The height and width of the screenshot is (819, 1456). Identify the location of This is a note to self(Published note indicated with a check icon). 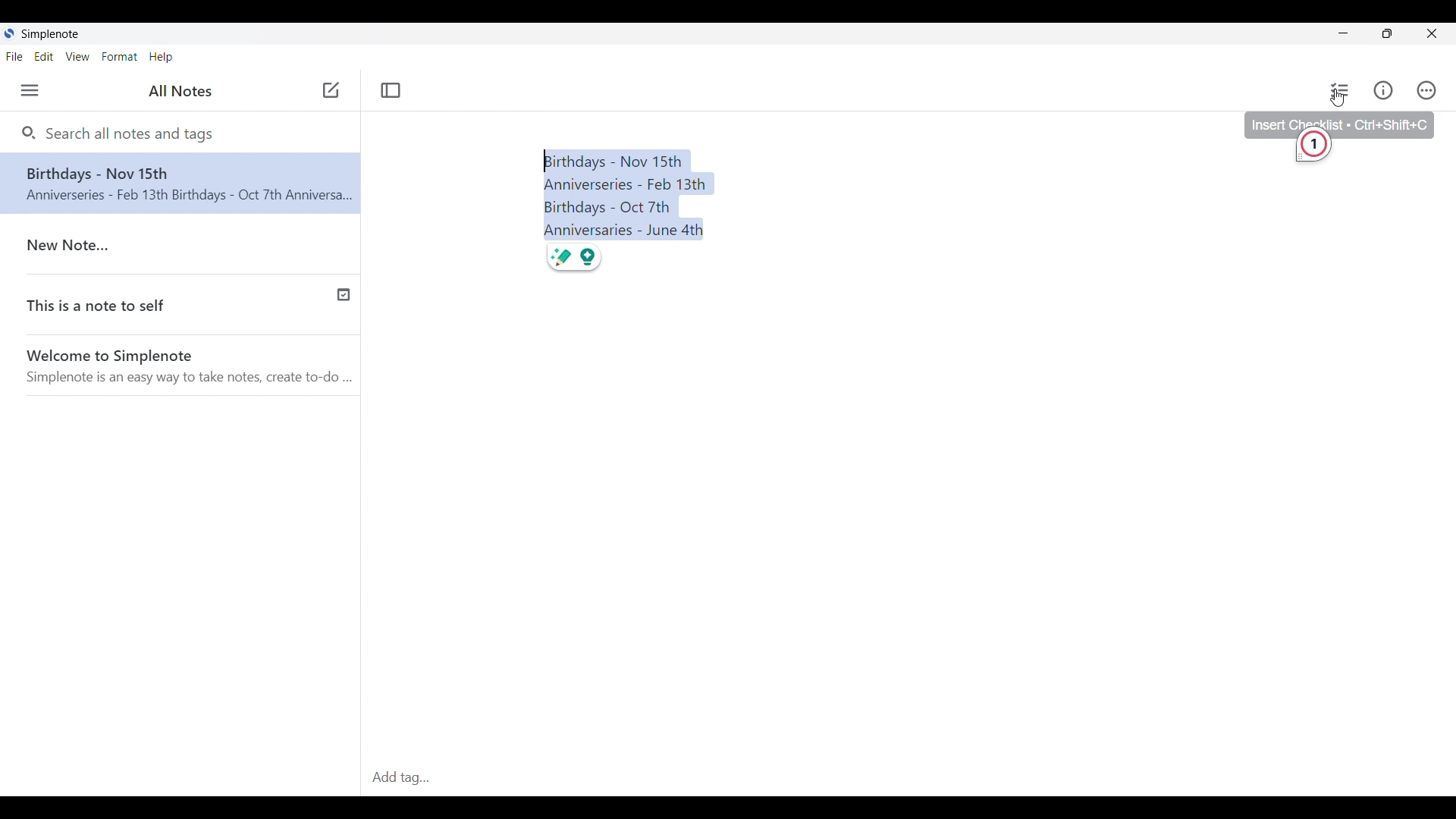
(181, 307).